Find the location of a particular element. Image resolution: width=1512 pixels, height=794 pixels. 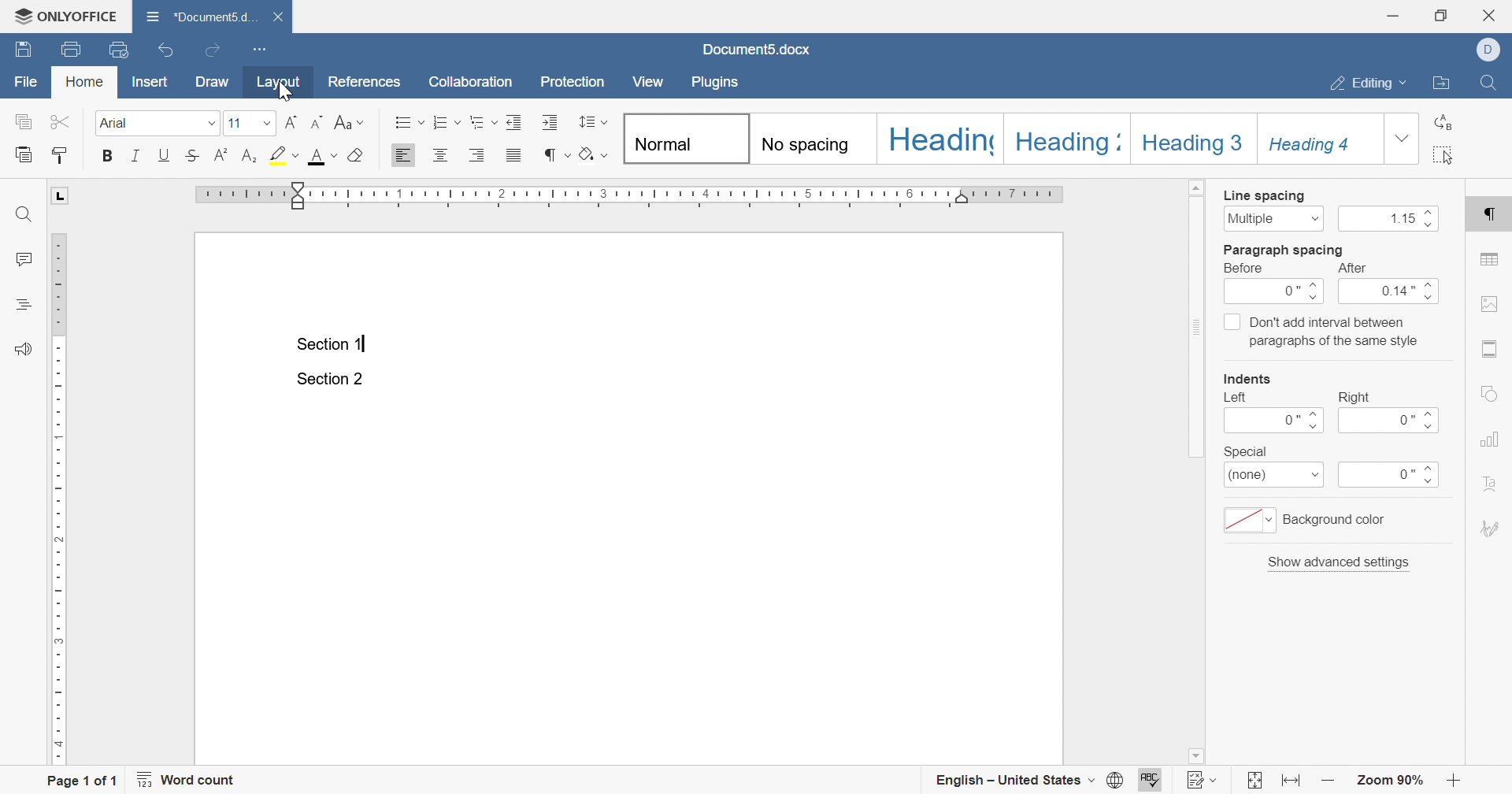

layout is located at coordinates (277, 84).